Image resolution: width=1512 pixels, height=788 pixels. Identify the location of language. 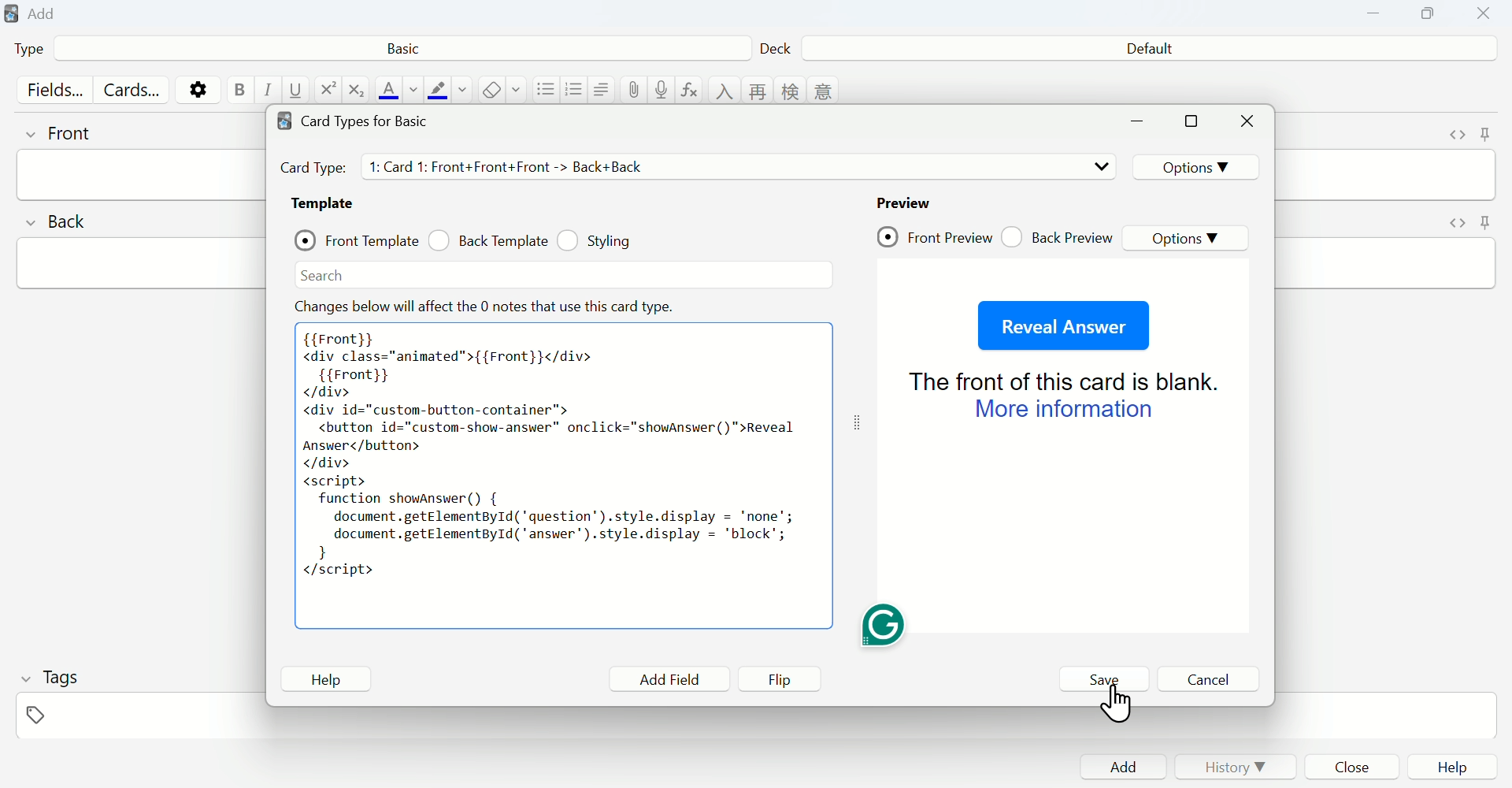
(791, 90).